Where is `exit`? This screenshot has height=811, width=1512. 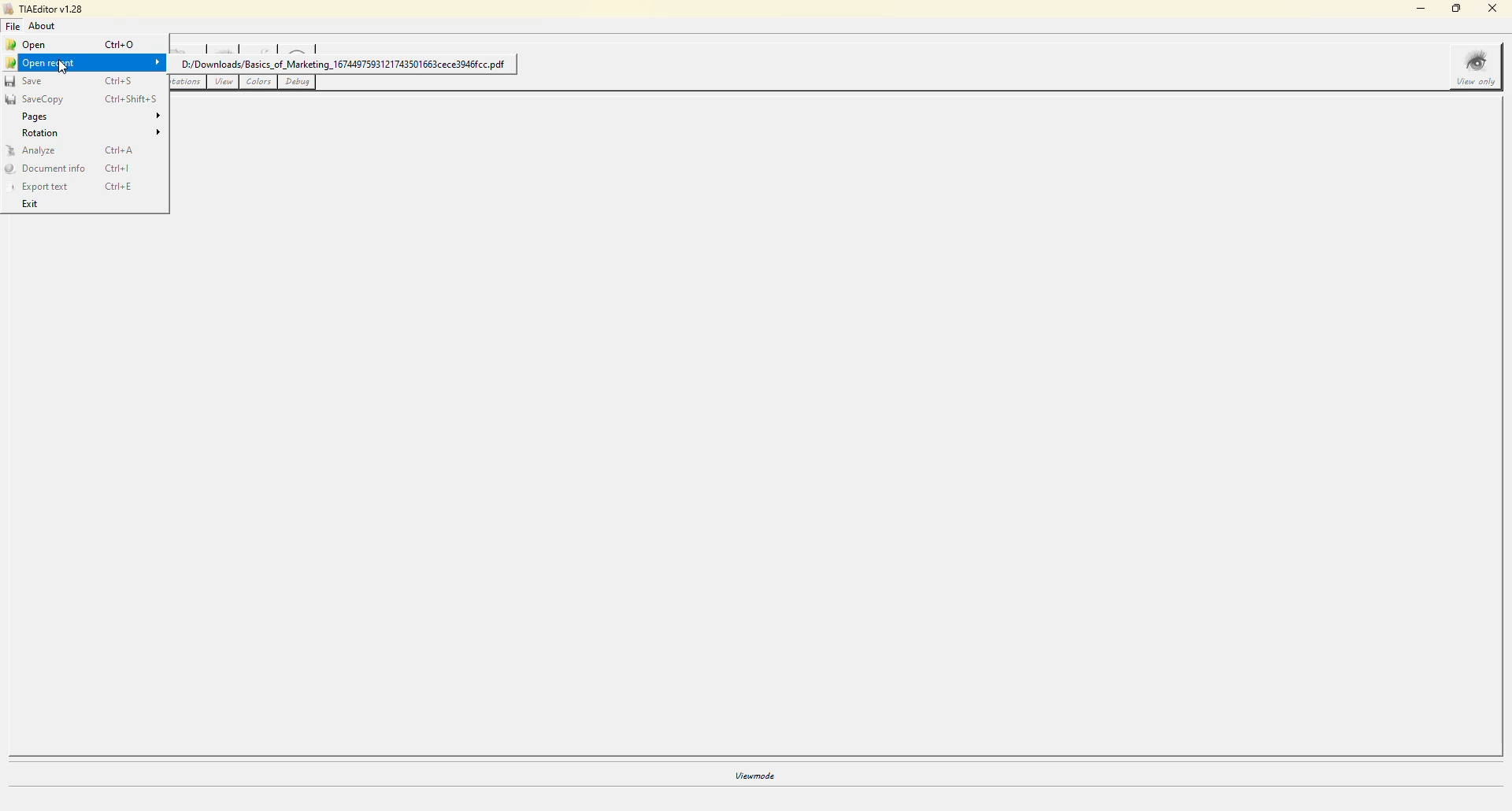
exit is located at coordinates (31, 207).